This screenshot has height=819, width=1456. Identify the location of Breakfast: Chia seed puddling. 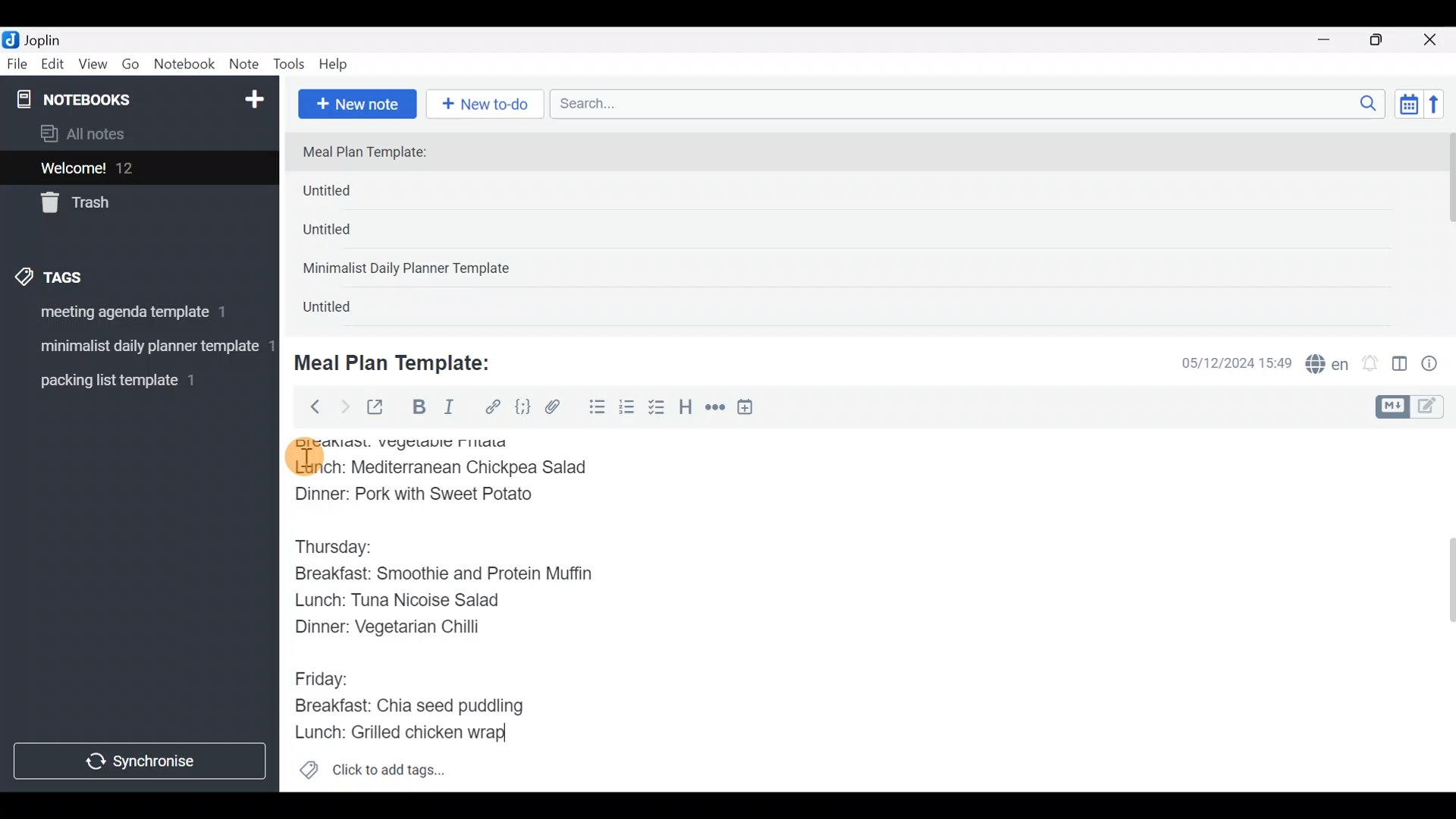
(417, 705).